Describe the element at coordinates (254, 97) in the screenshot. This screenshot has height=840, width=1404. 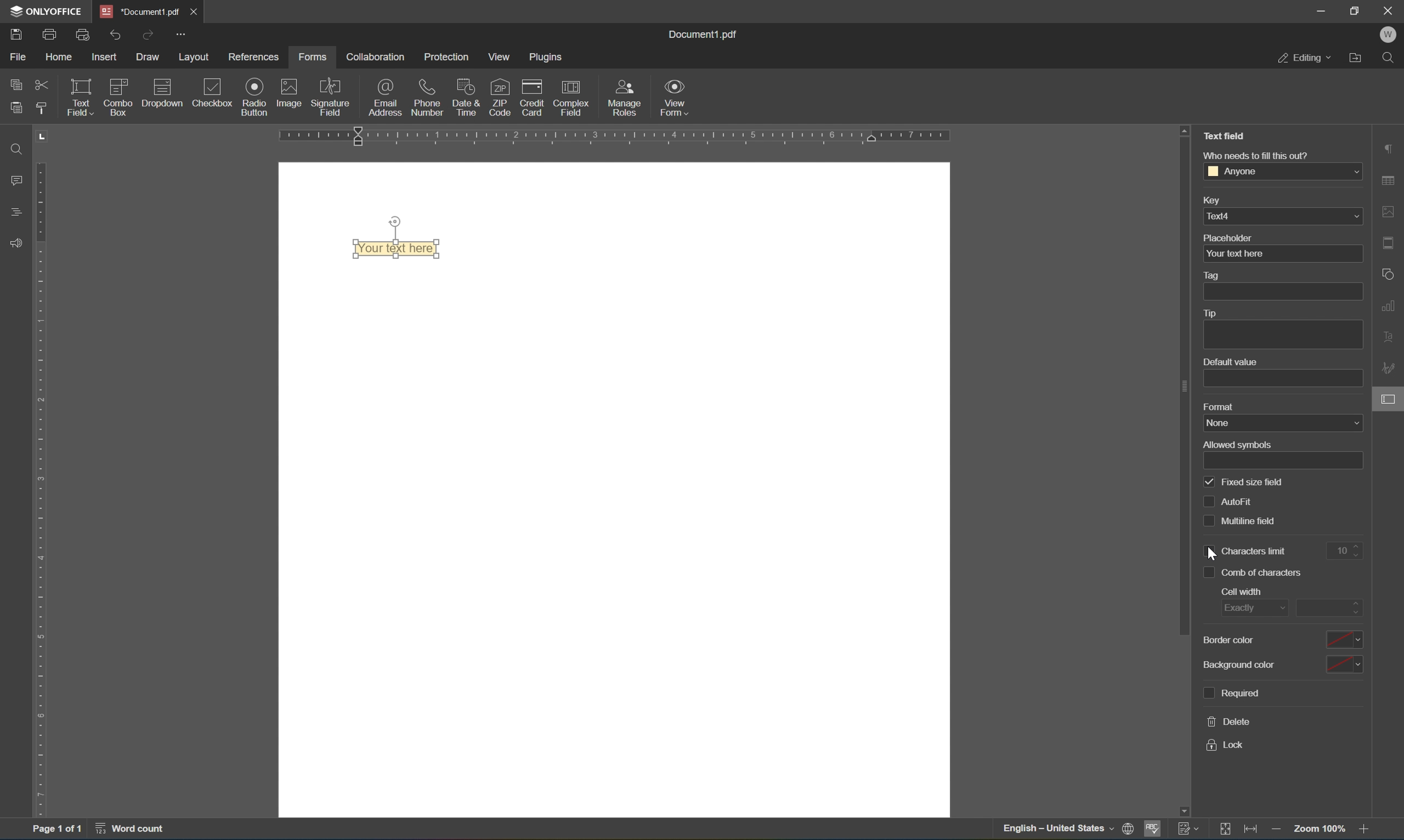
I see `` at that location.